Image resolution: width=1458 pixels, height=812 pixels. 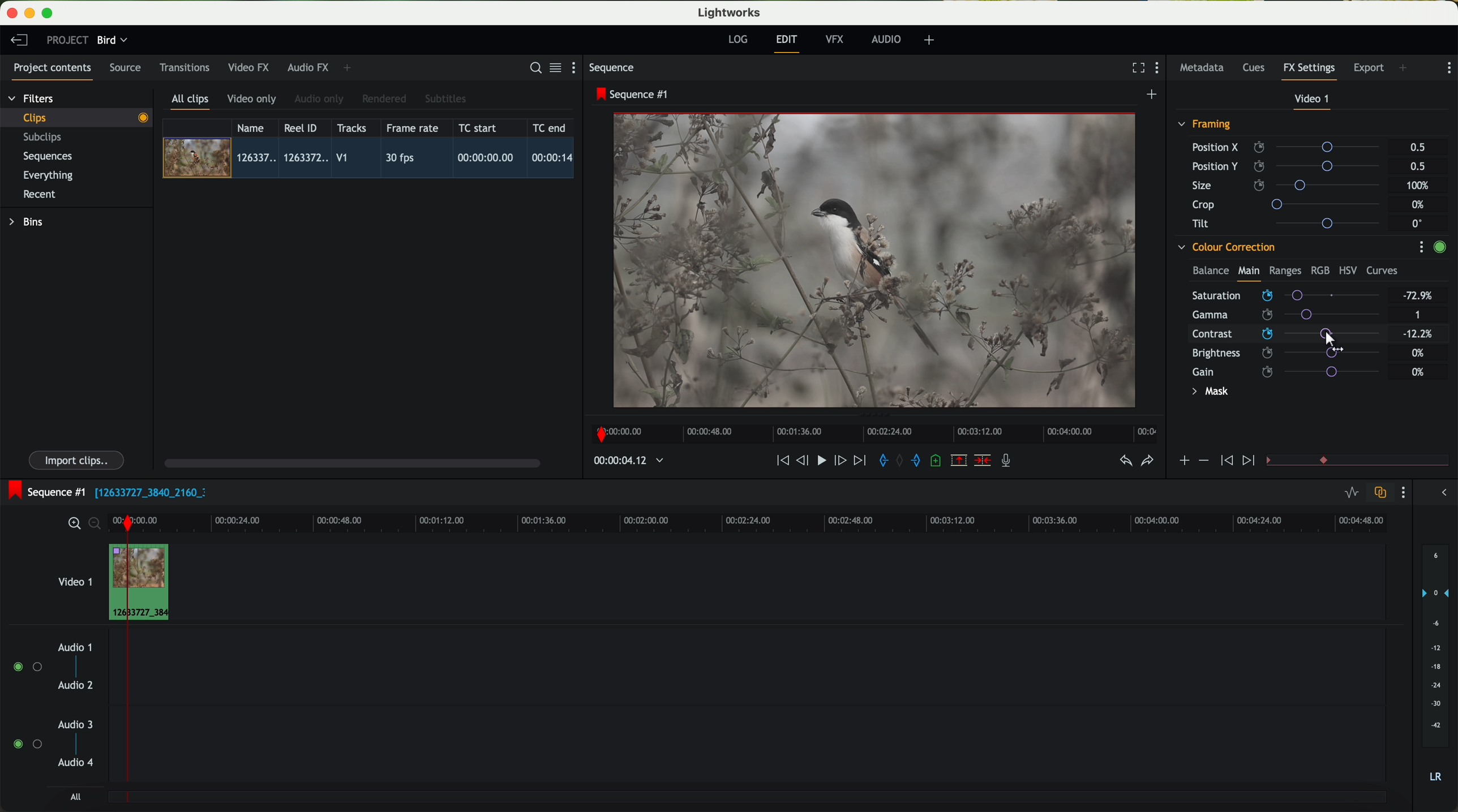 What do you see at coordinates (96, 525) in the screenshot?
I see `zoom out` at bounding box center [96, 525].